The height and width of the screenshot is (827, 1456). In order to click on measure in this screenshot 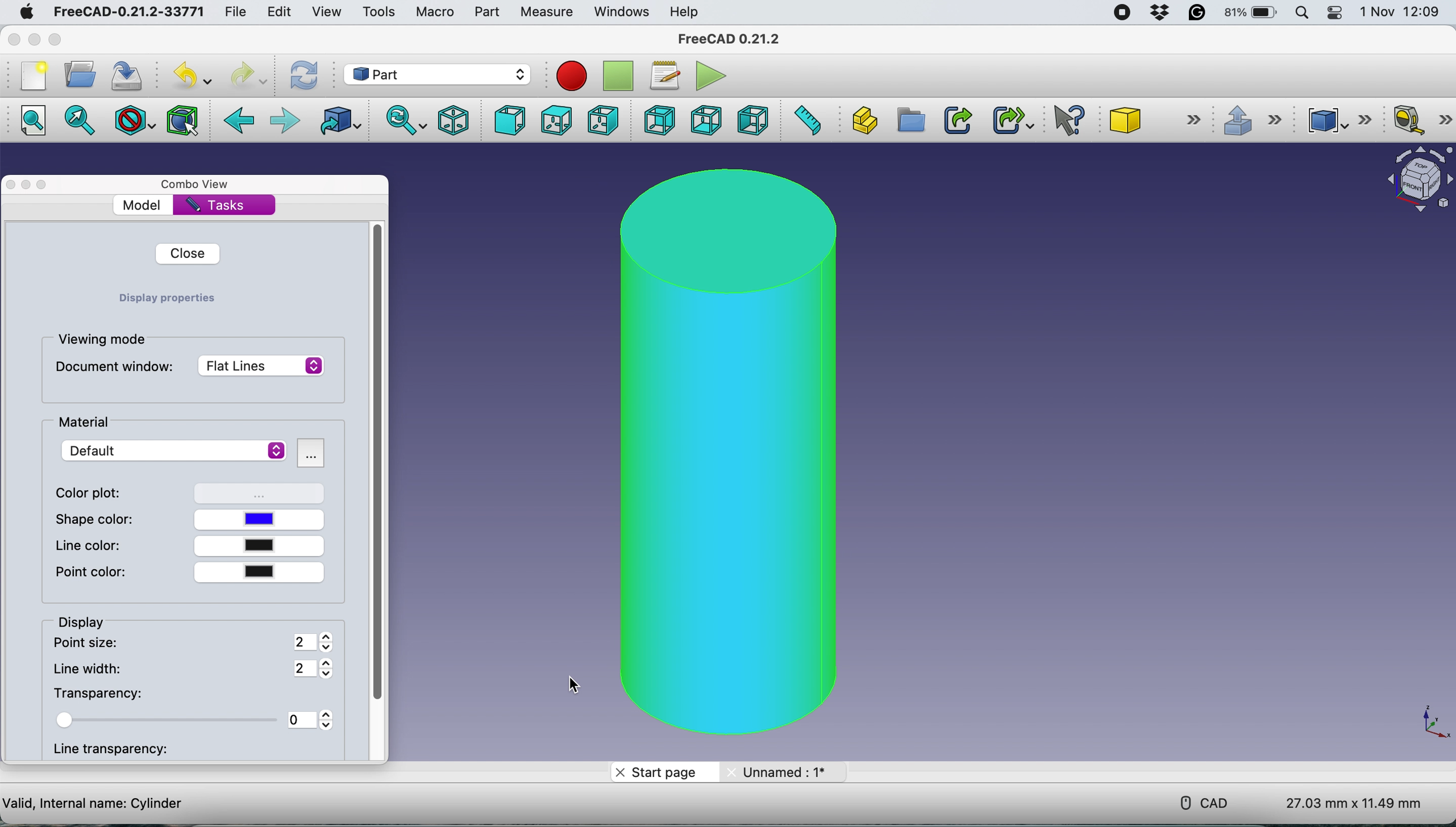, I will do `click(548, 12)`.